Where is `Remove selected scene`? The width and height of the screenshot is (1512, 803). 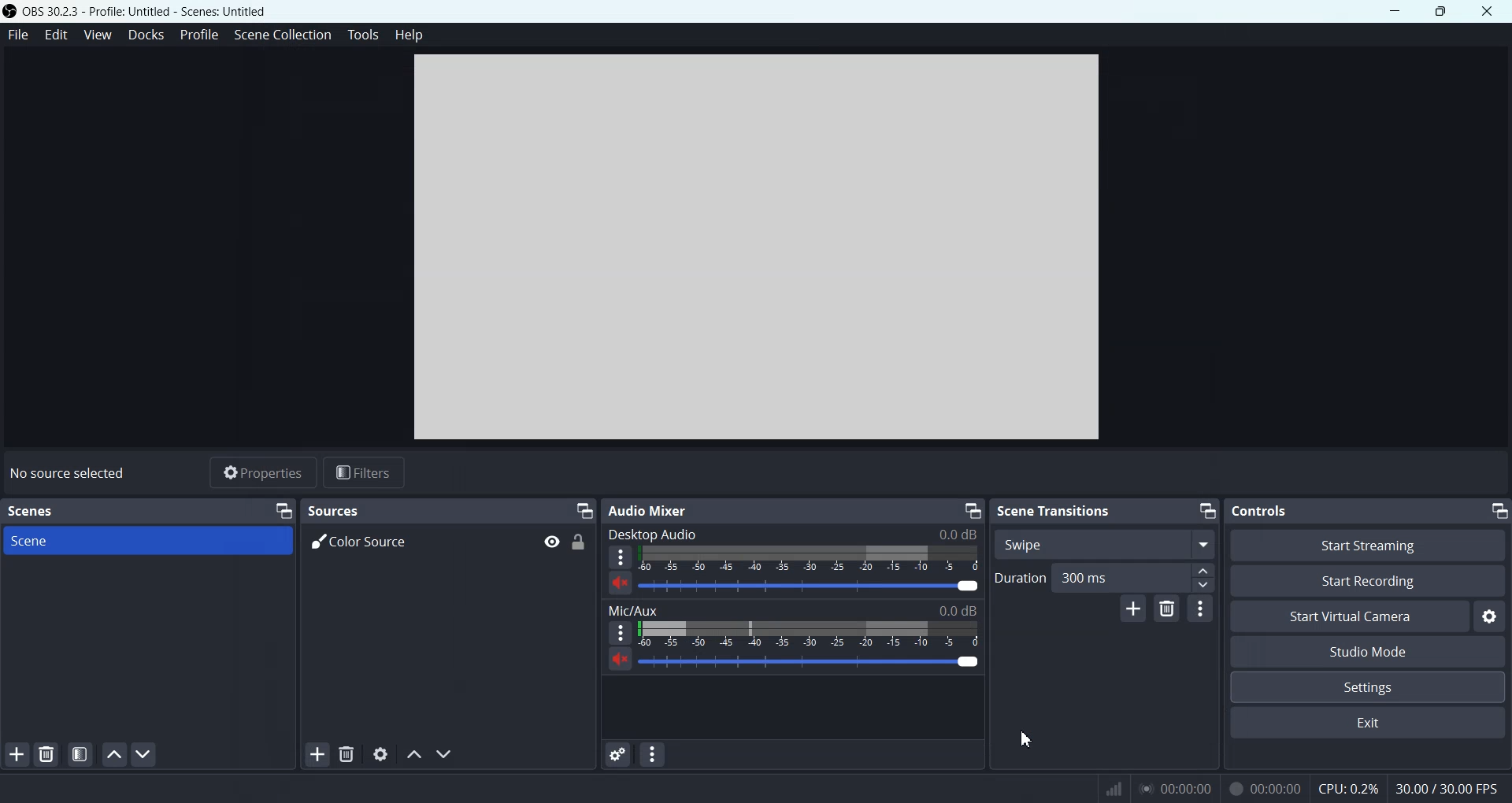 Remove selected scene is located at coordinates (46, 753).